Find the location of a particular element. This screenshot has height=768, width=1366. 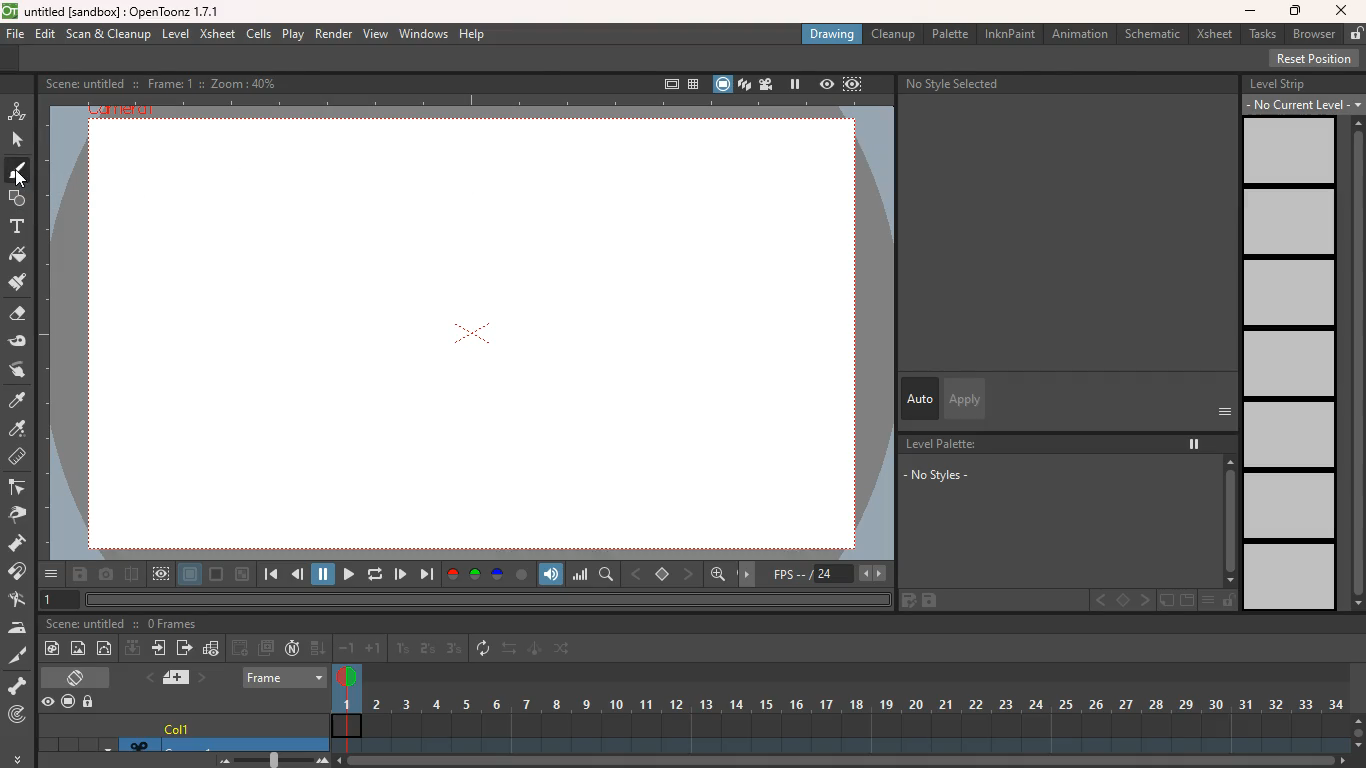

+1 is located at coordinates (374, 650).